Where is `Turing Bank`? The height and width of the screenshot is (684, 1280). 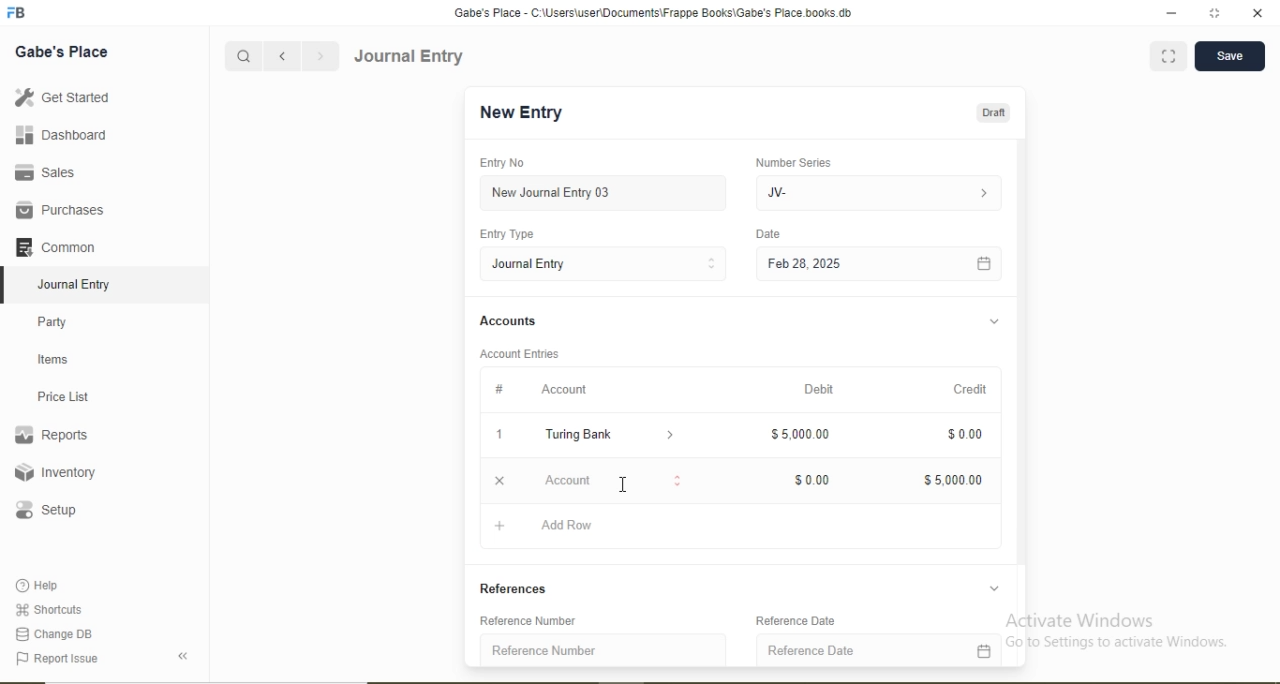
Turing Bank is located at coordinates (582, 434).